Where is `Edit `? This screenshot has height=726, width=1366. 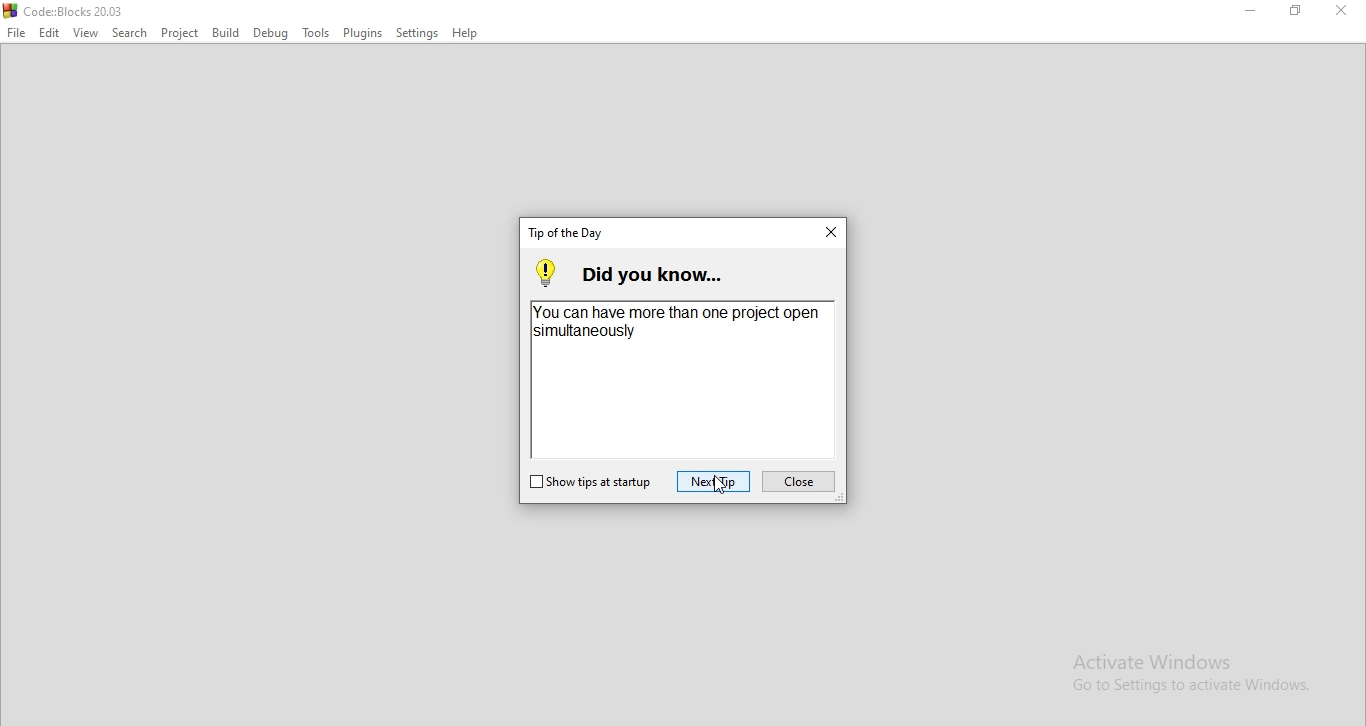
Edit  is located at coordinates (46, 33).